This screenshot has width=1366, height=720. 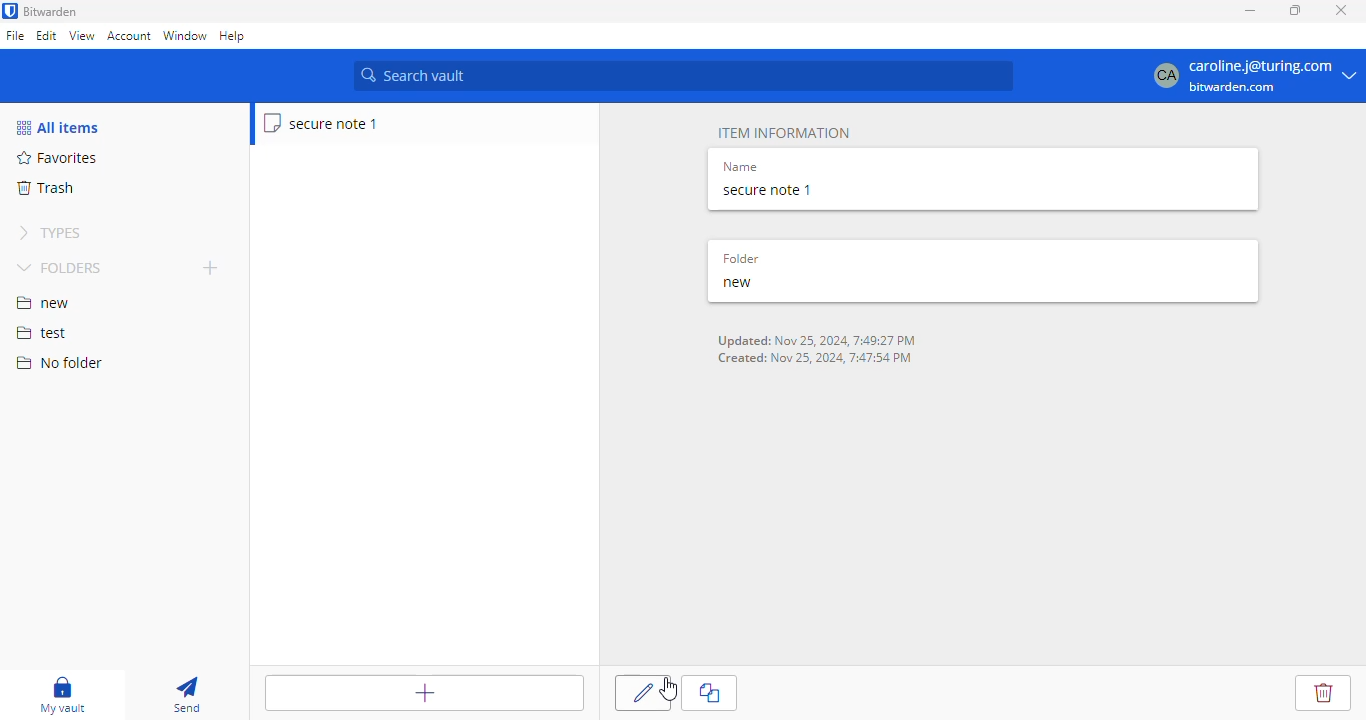 I want to click on add item, so click(x=425, y=693).